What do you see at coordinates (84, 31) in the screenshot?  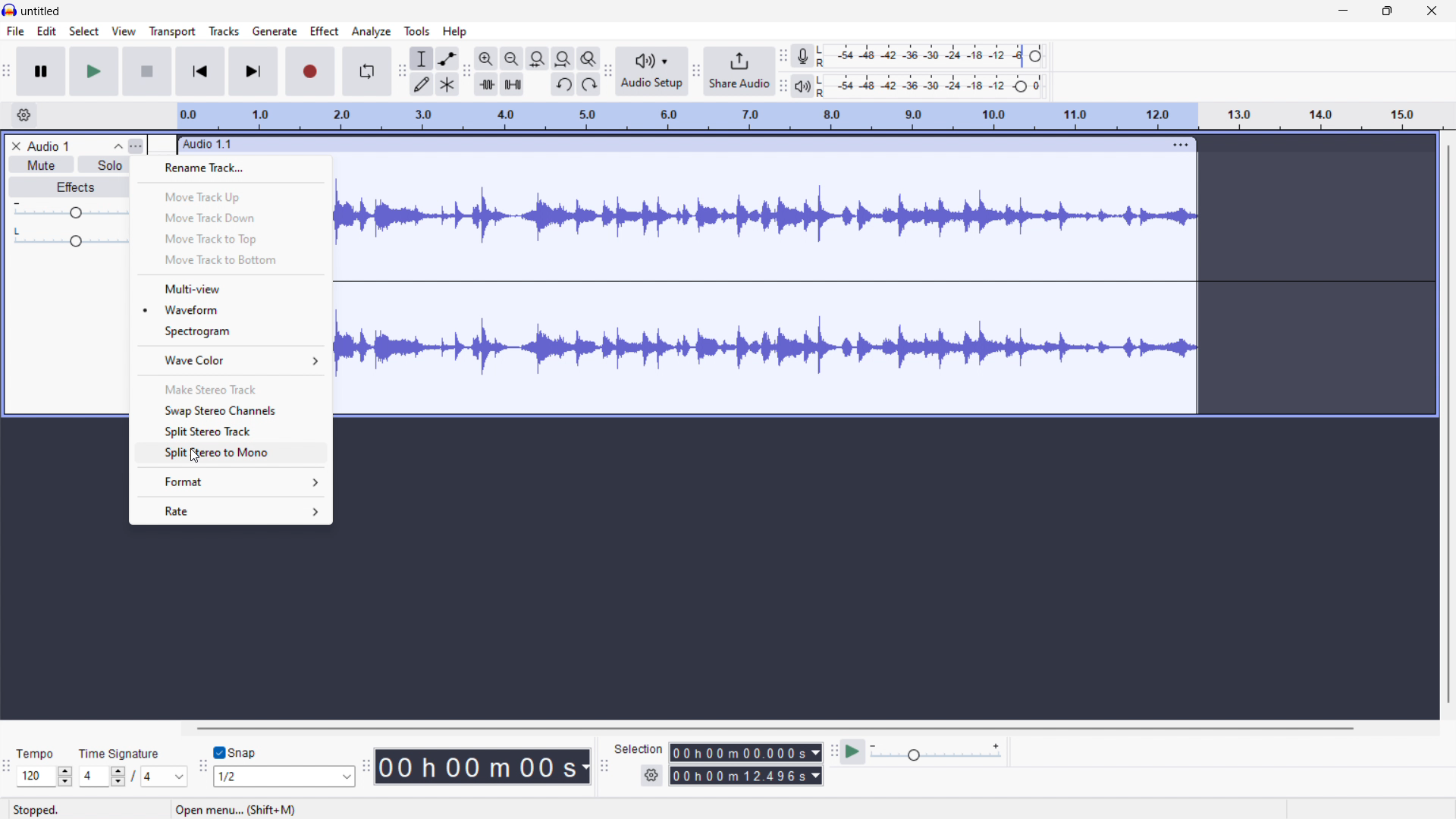 I see `select` at bounding box center [84, 31].